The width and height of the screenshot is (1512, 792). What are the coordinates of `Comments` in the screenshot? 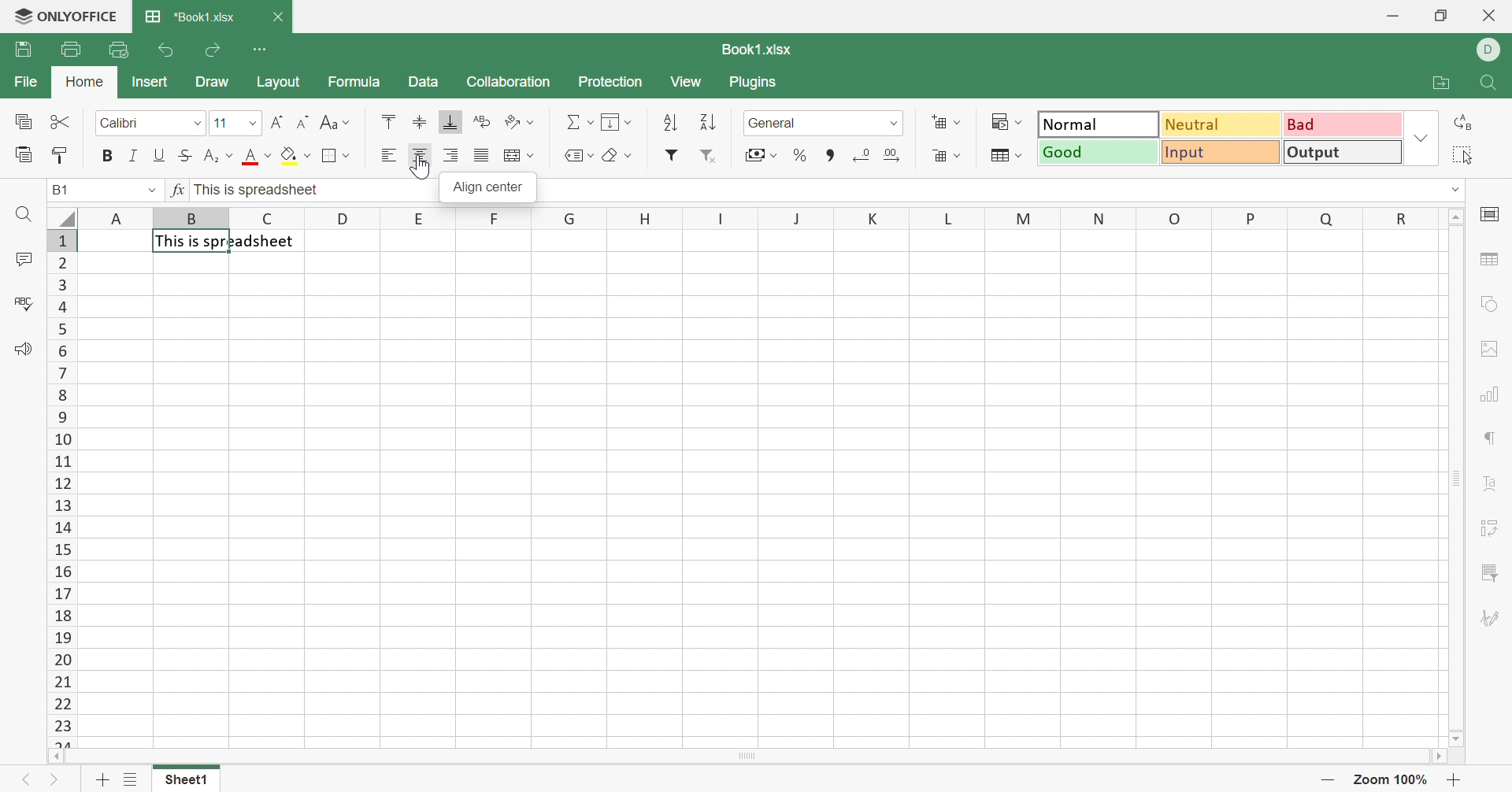 It's located at (23, 259).